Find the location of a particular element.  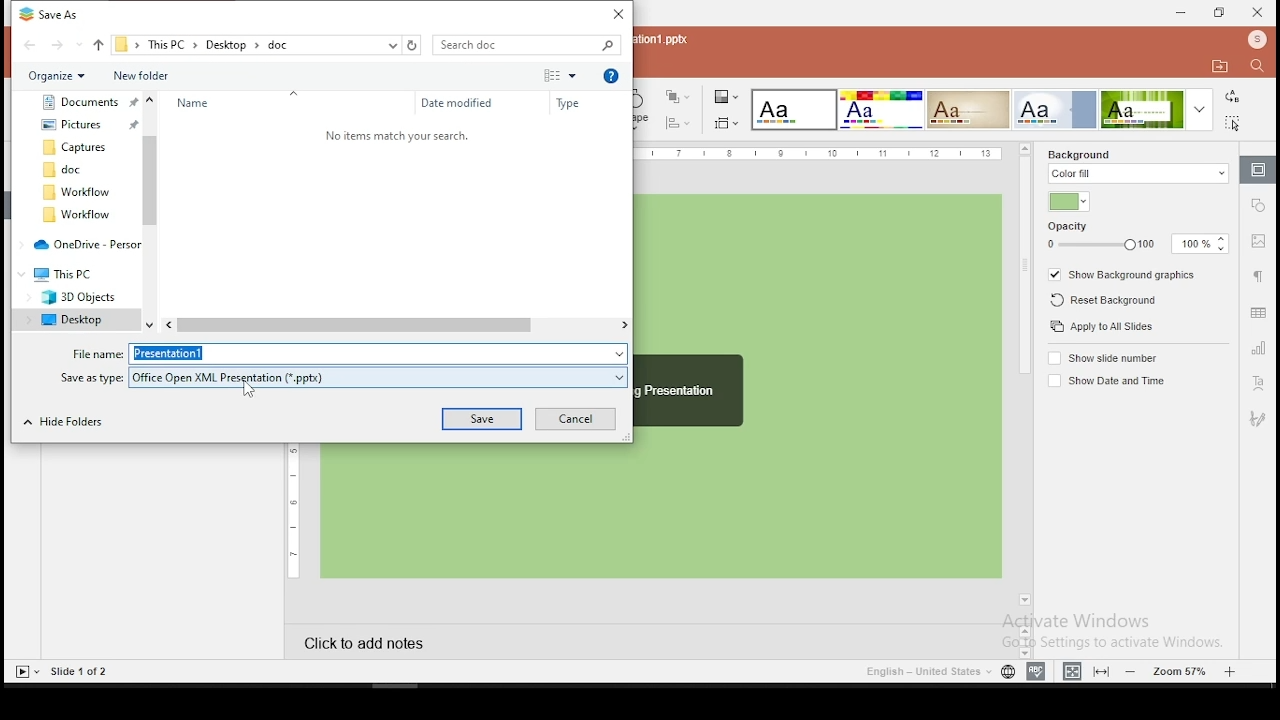

Organize is located at coordinates (58, 75).